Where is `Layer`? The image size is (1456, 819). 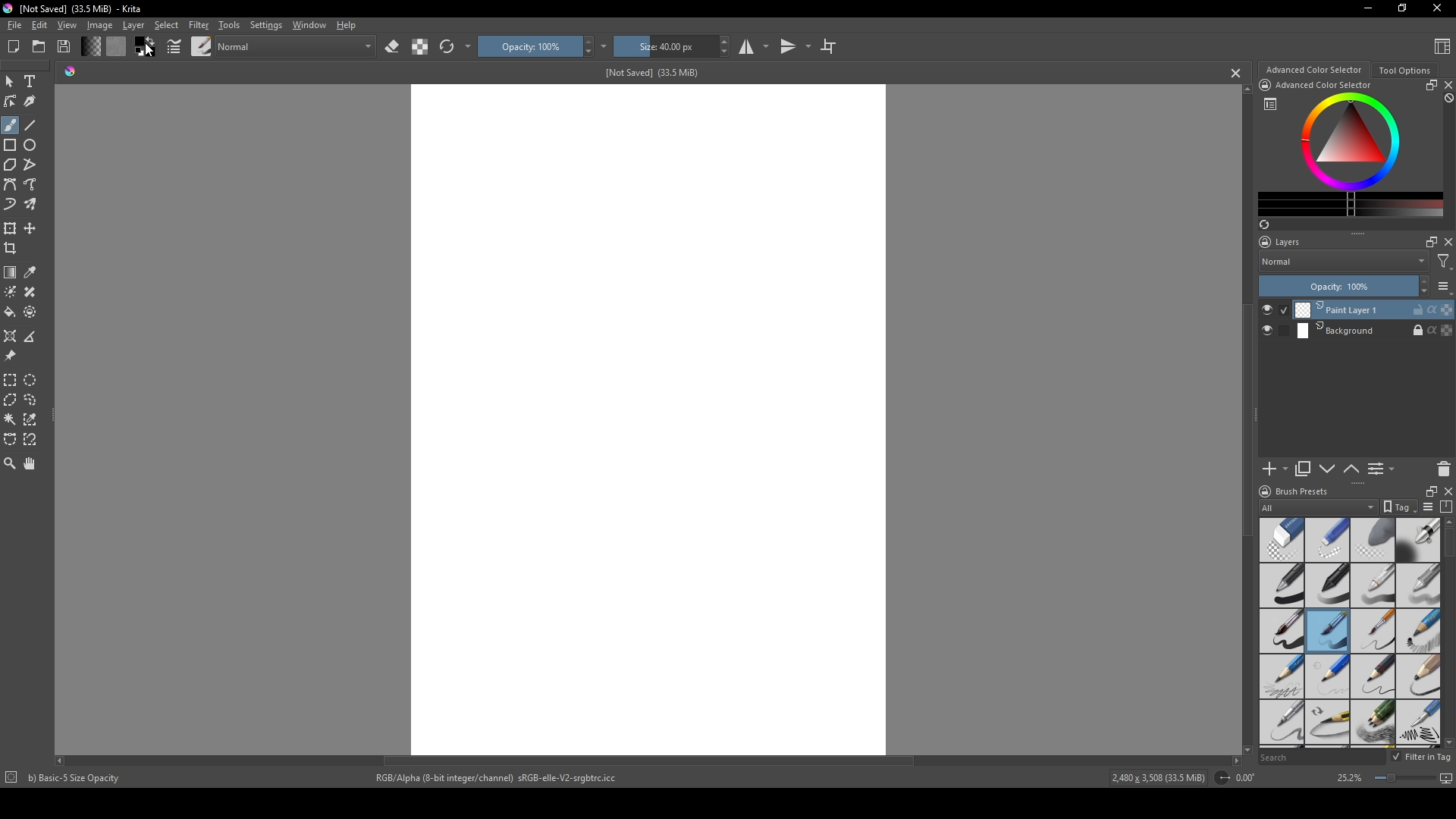 Layer is located at coordinates (133, 25).